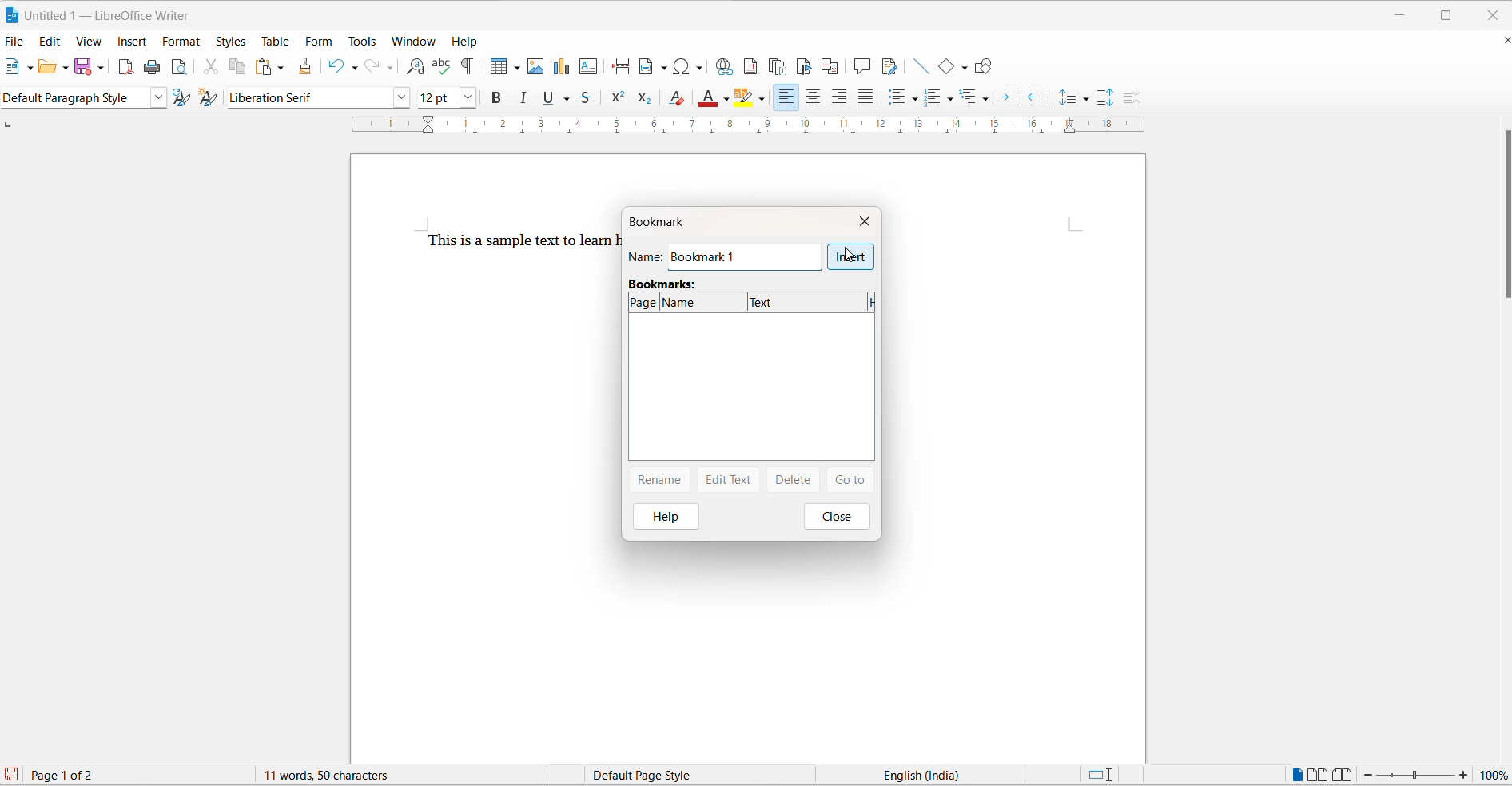 The image size is (1512, 786). I want to click on open, so click(50, 67).